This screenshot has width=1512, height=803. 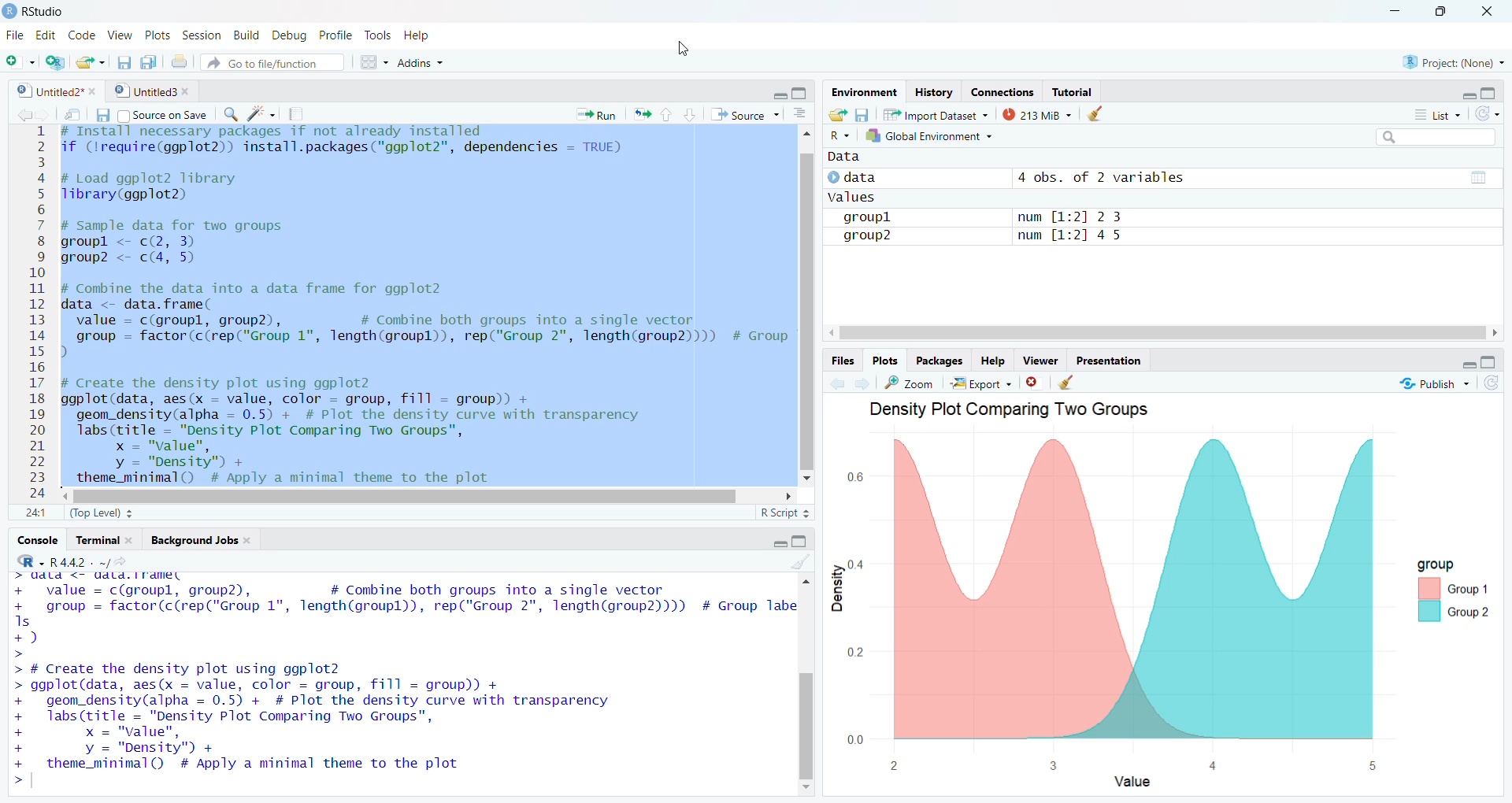 What do you see at coordinates (795, 563) in the screenshot?
I see `CLEAR` at bounding box center [795, 563].